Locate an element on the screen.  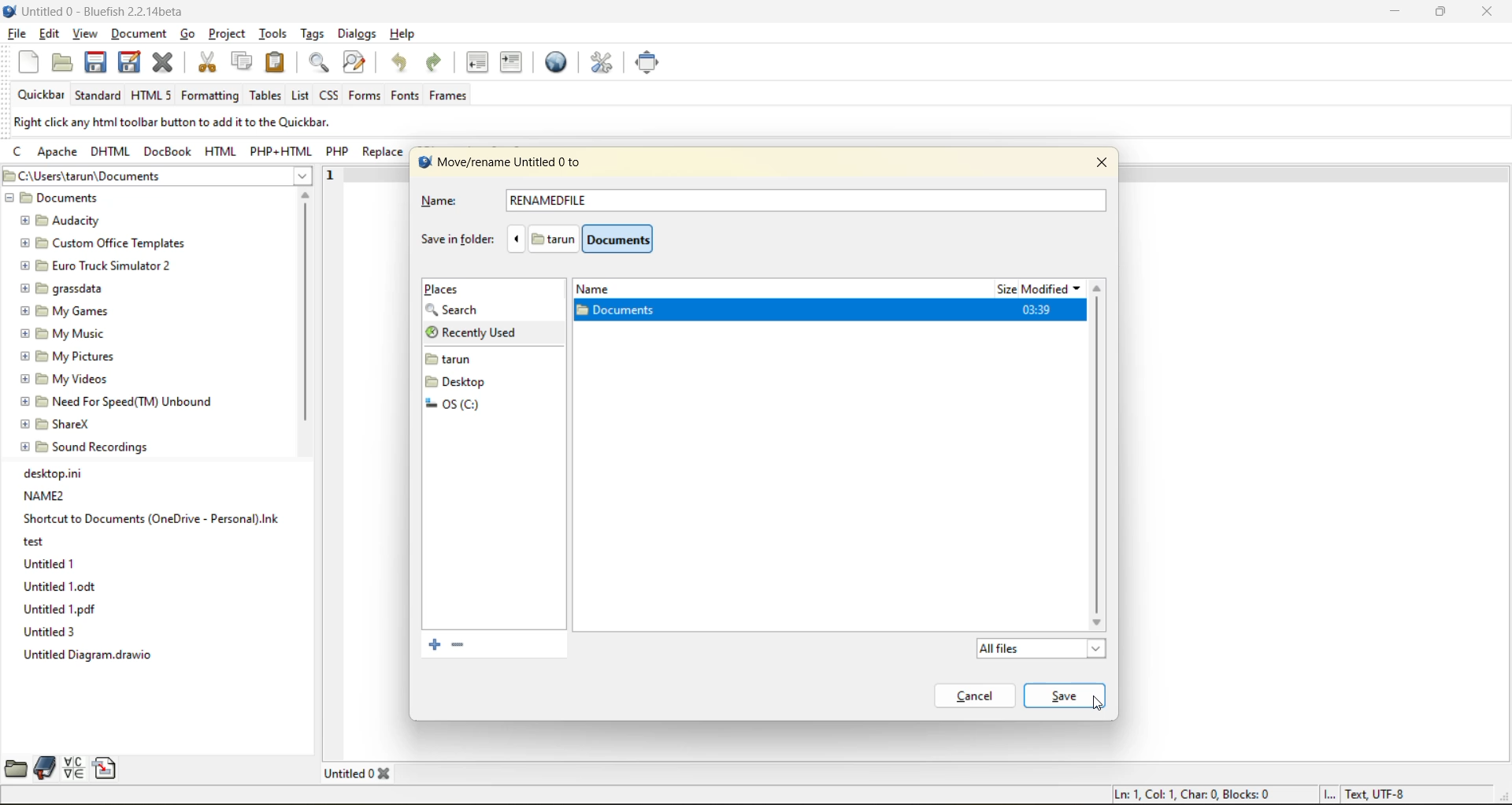
find is located at coordinates (317, 64).